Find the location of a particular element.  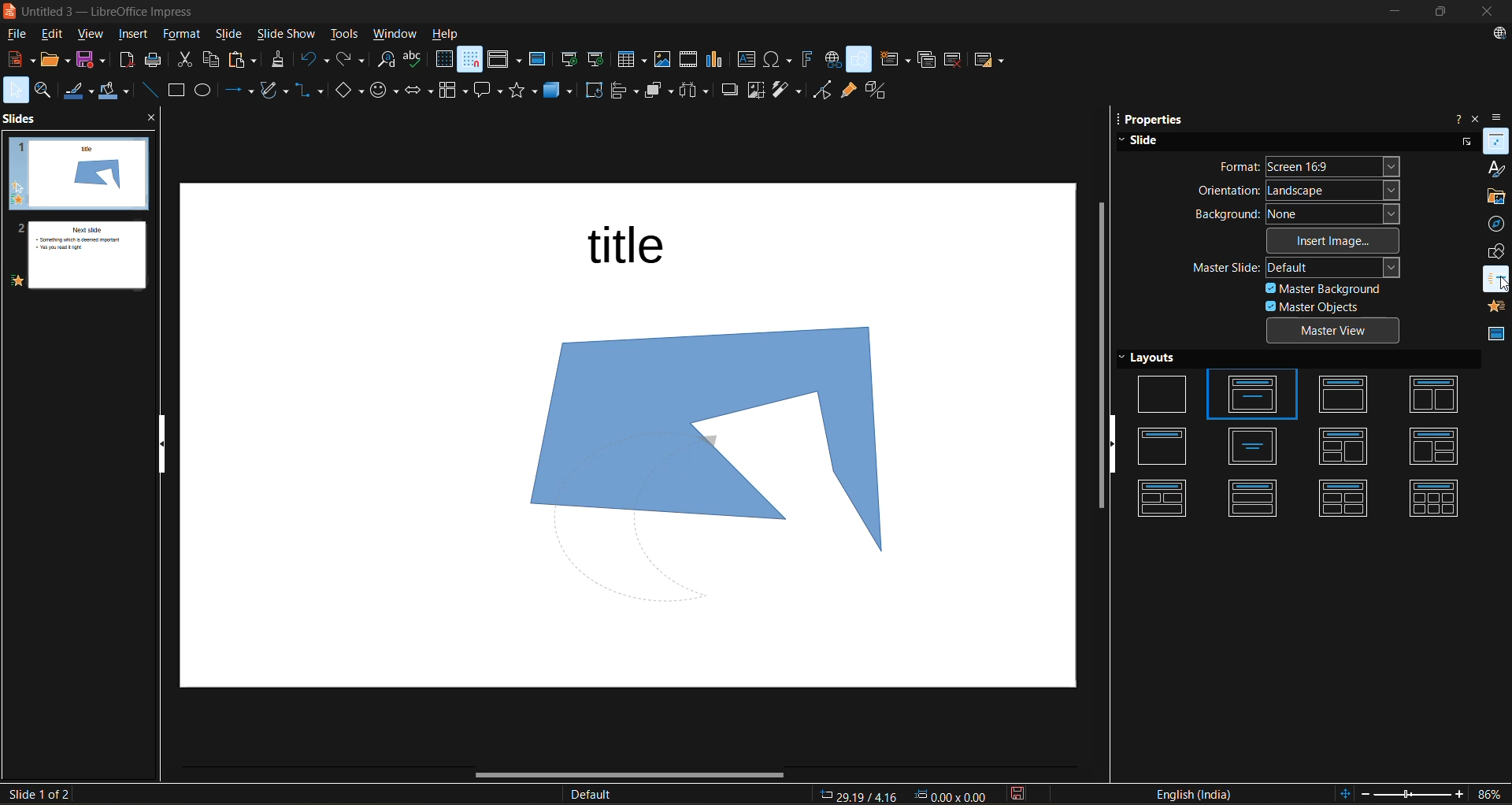

insert line is located at coordinates (149, 90).